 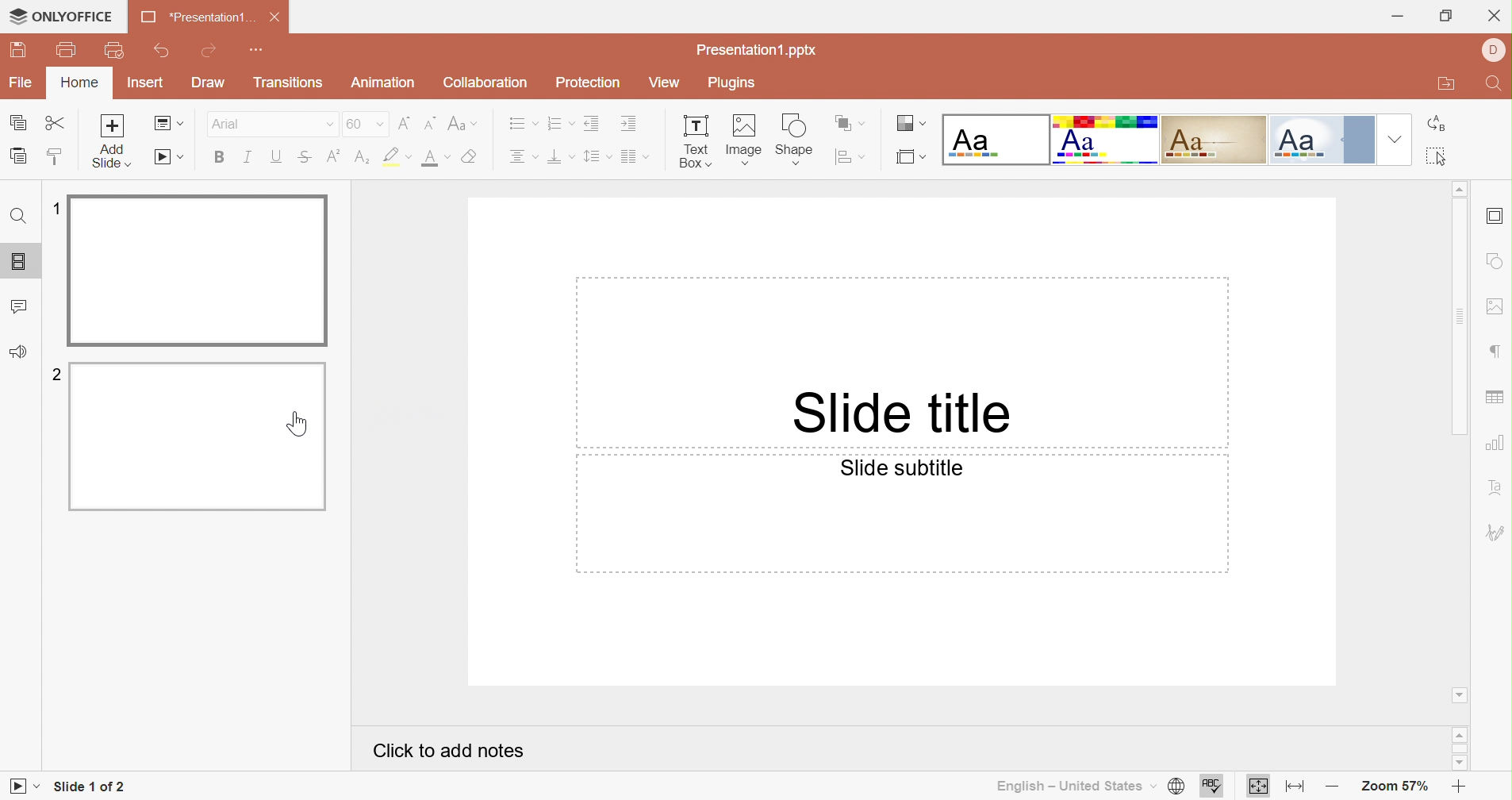 What do you see at coordinates (1496, 487) in the screenshot?
I see `Text Art settings` at bounding box center [1496, 487].